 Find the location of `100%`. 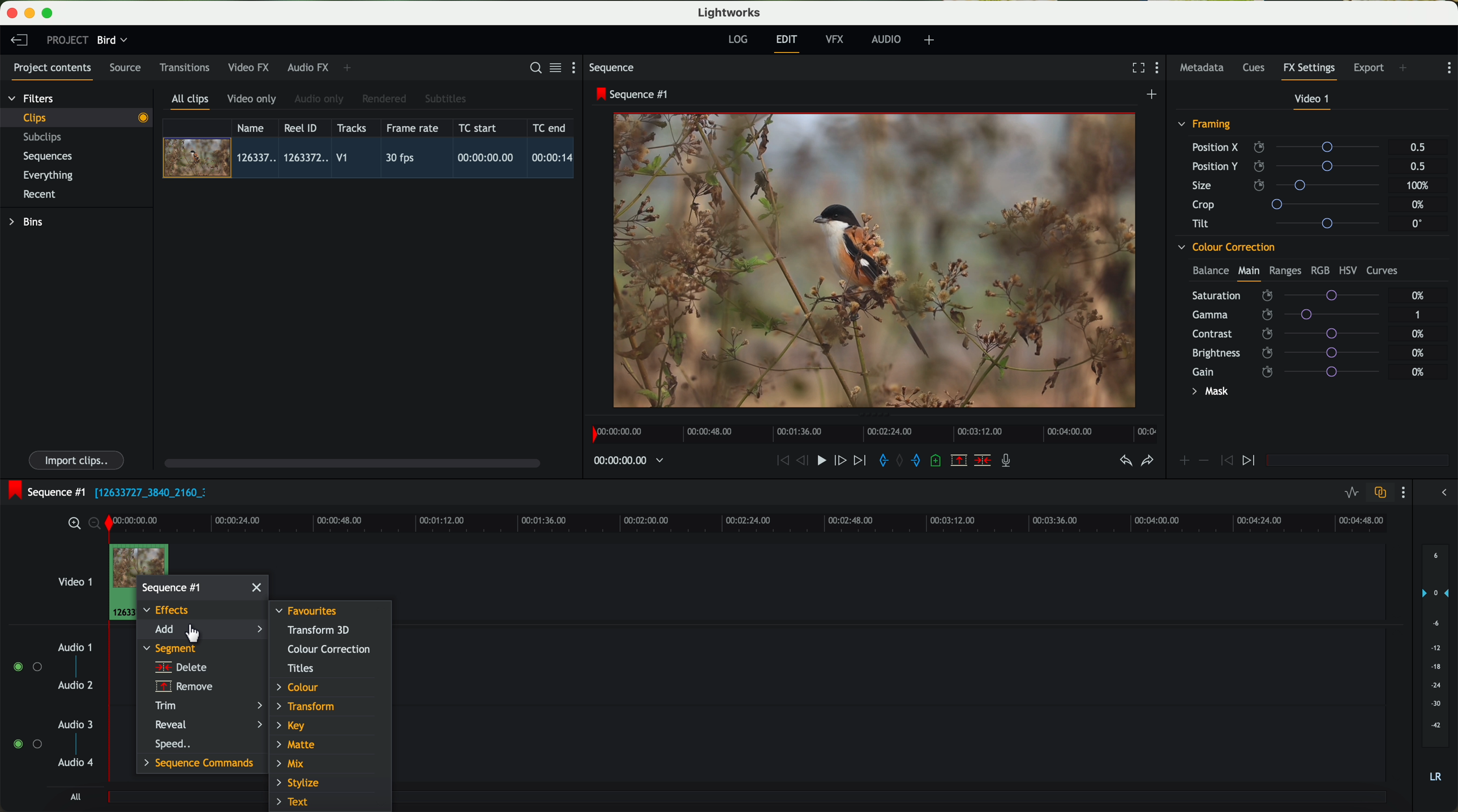

100% is located at coordinates (1421, 186).